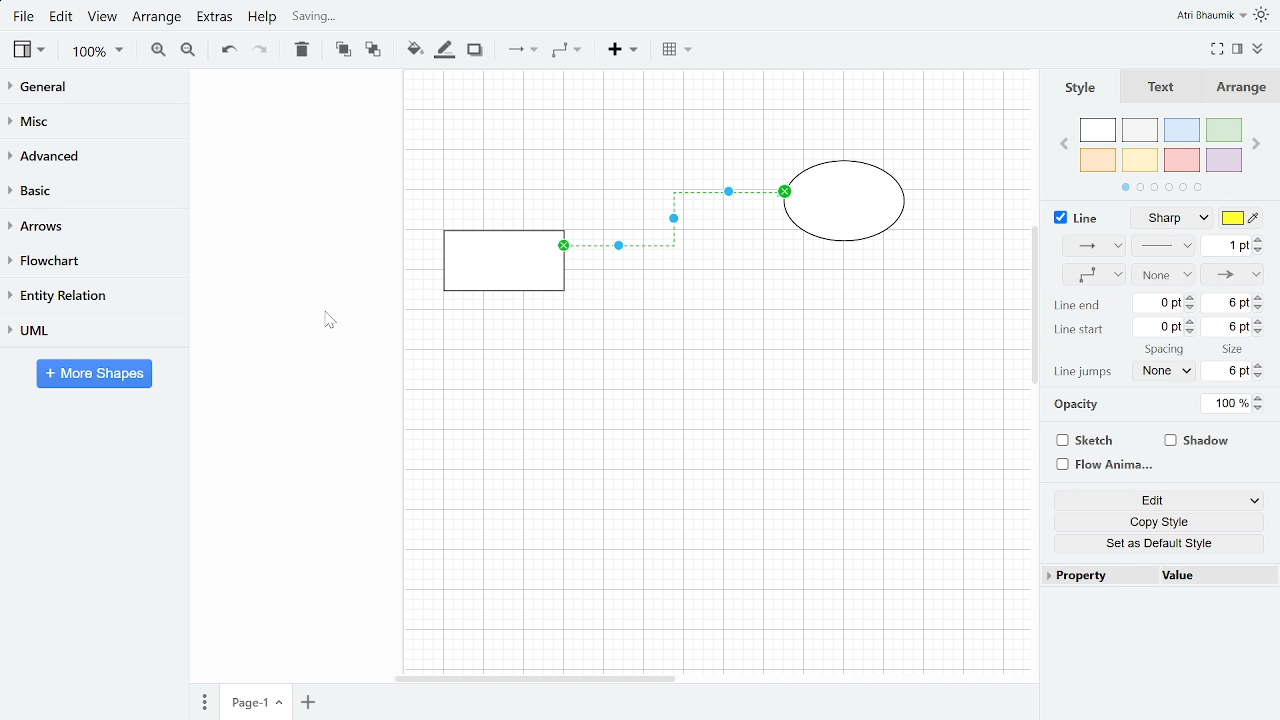 This screenshot has height=720, width=1280. I want to click on Sketch, so click(1100, 440).